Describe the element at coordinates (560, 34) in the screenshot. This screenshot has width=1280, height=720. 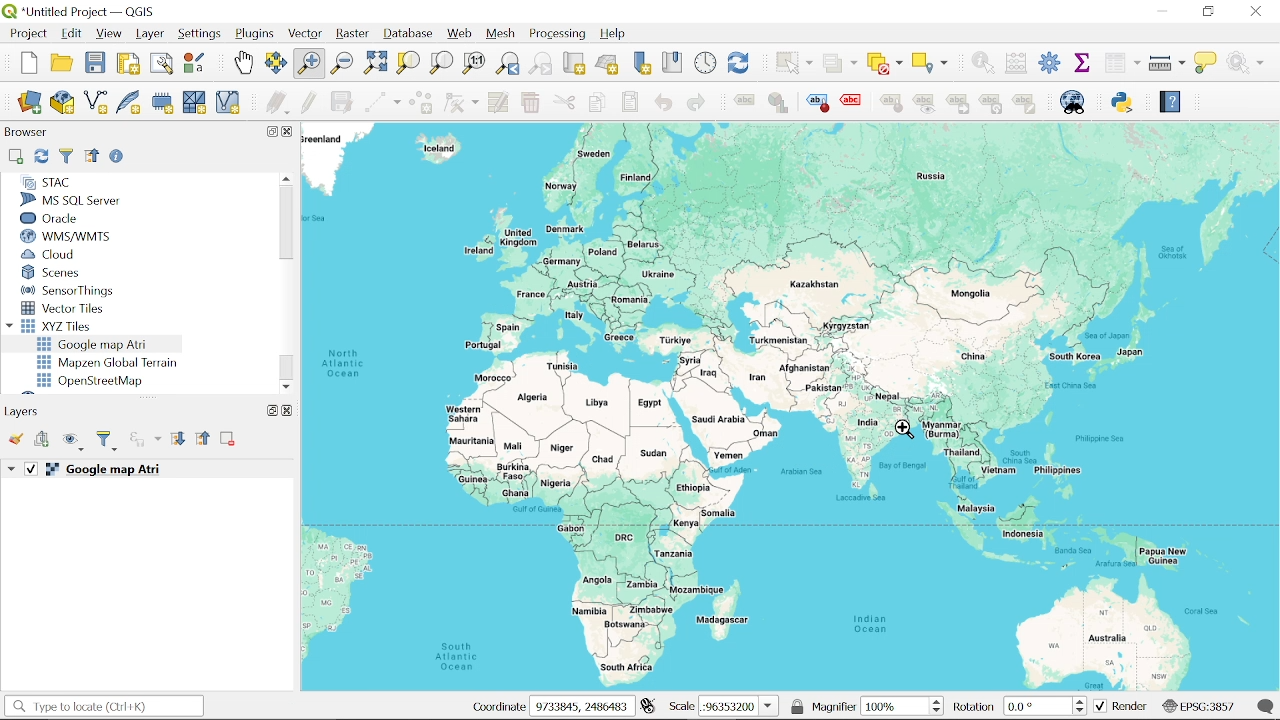
I see `Processing` at that location.